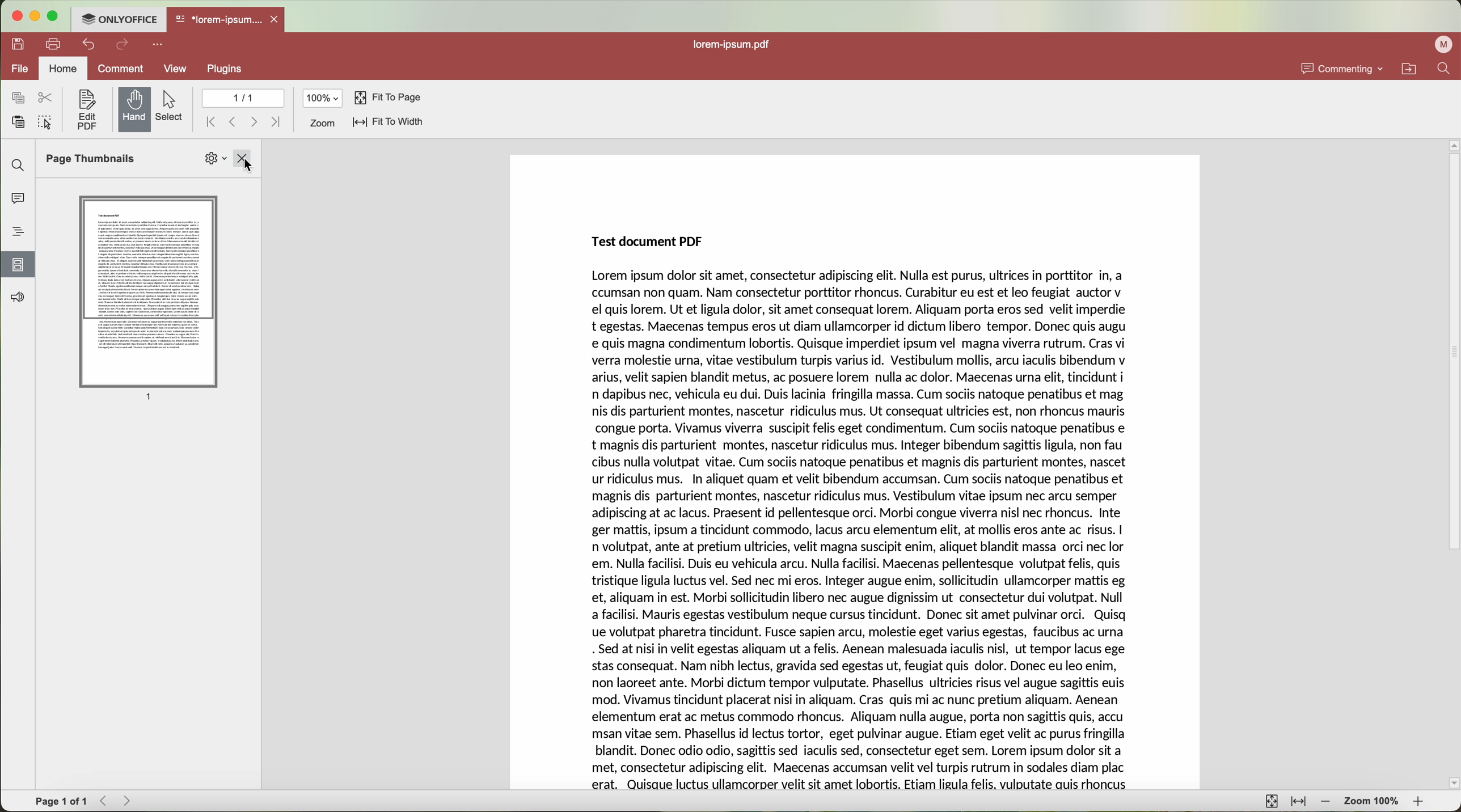 The height and width of the screenshot is (812, 1461). I want to click on 1, so click(151, 397).